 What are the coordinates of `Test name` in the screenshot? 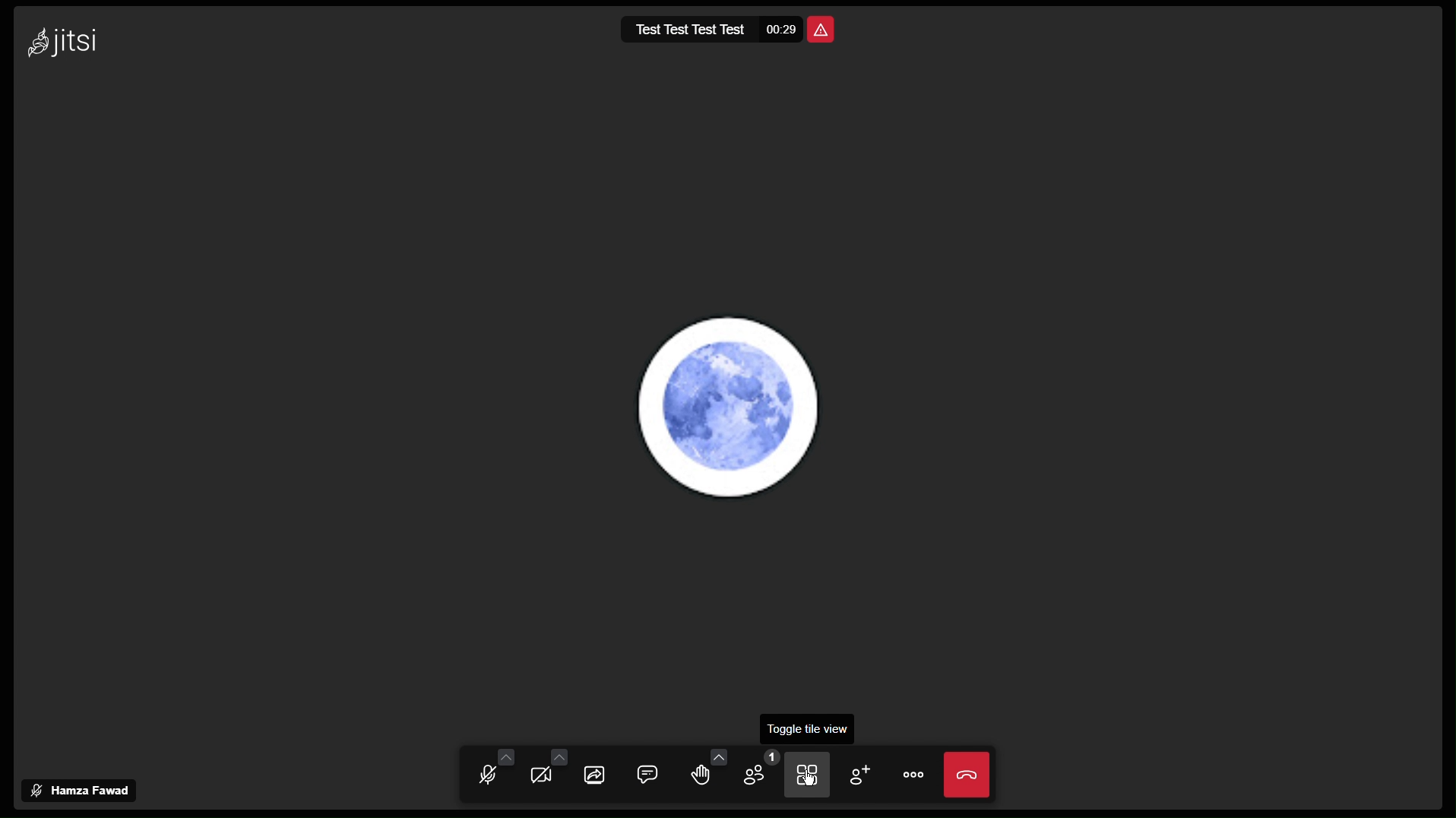 It's located at (688, 32).